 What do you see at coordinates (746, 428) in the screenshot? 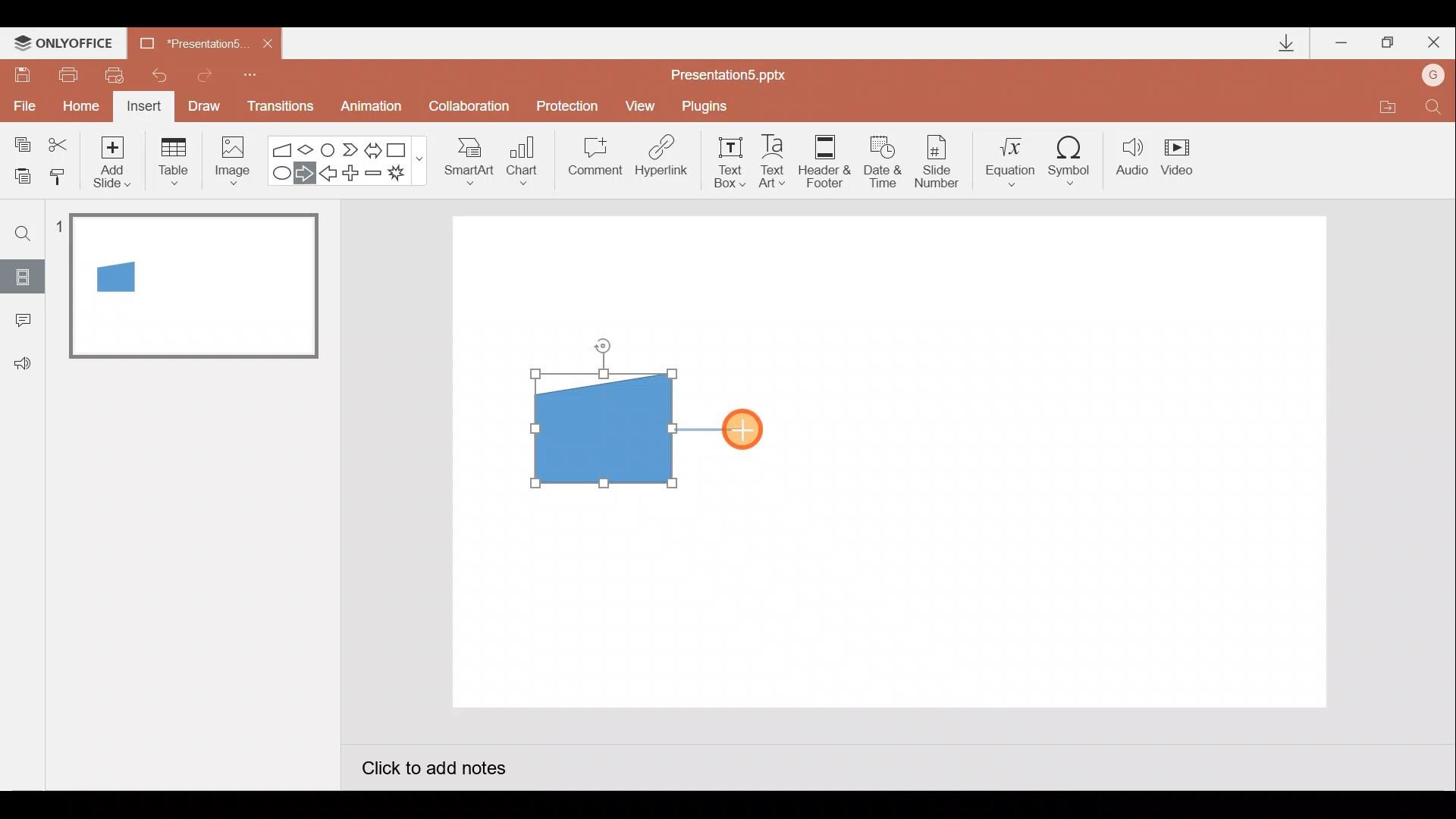
I see `Cursor` at bounding box center [746, 428].